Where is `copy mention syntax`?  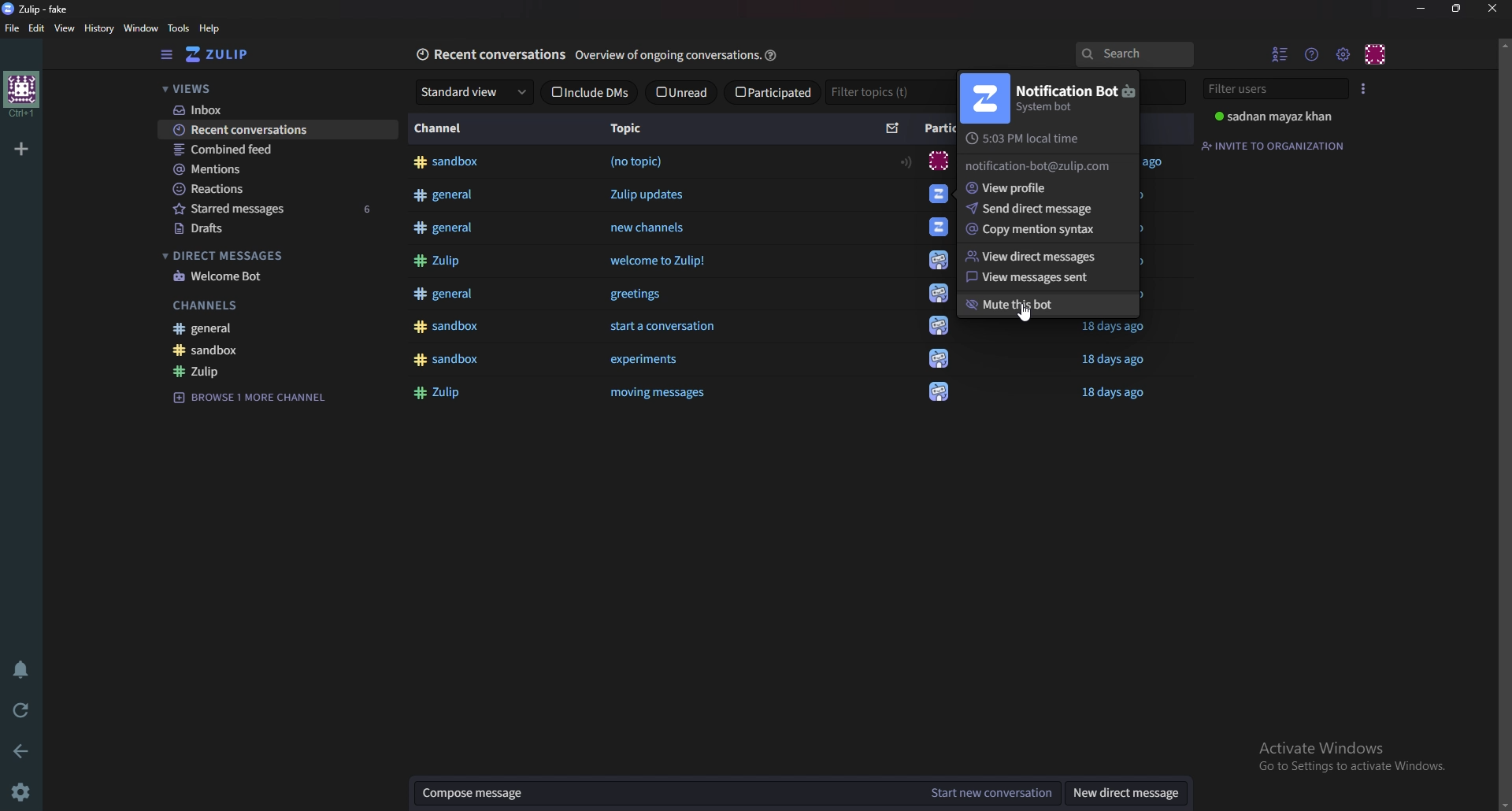 copy mention syntax is located at coordinates (1032, 231).